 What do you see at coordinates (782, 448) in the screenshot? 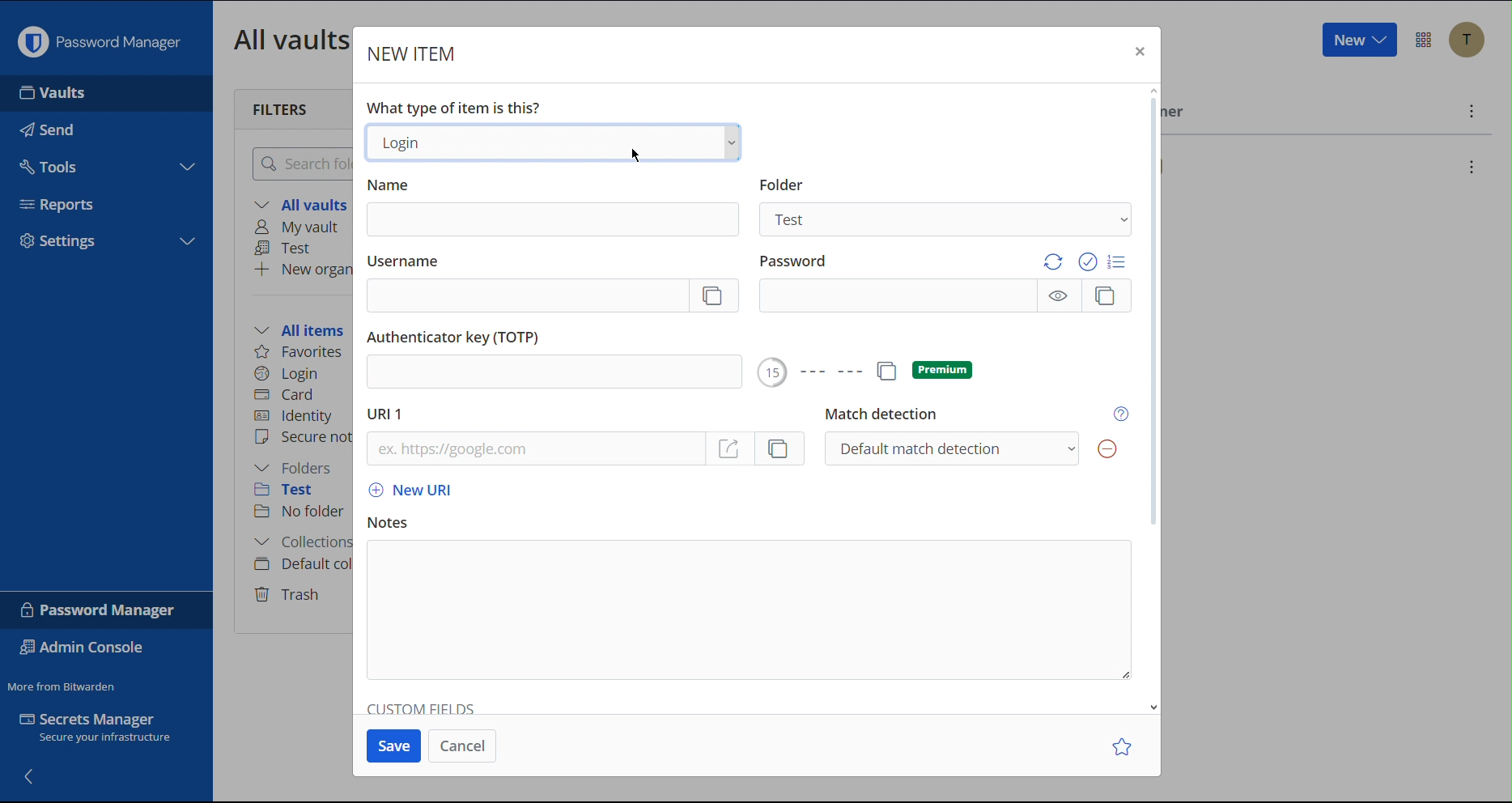
I see `copy` at bounding box center [782, 448].